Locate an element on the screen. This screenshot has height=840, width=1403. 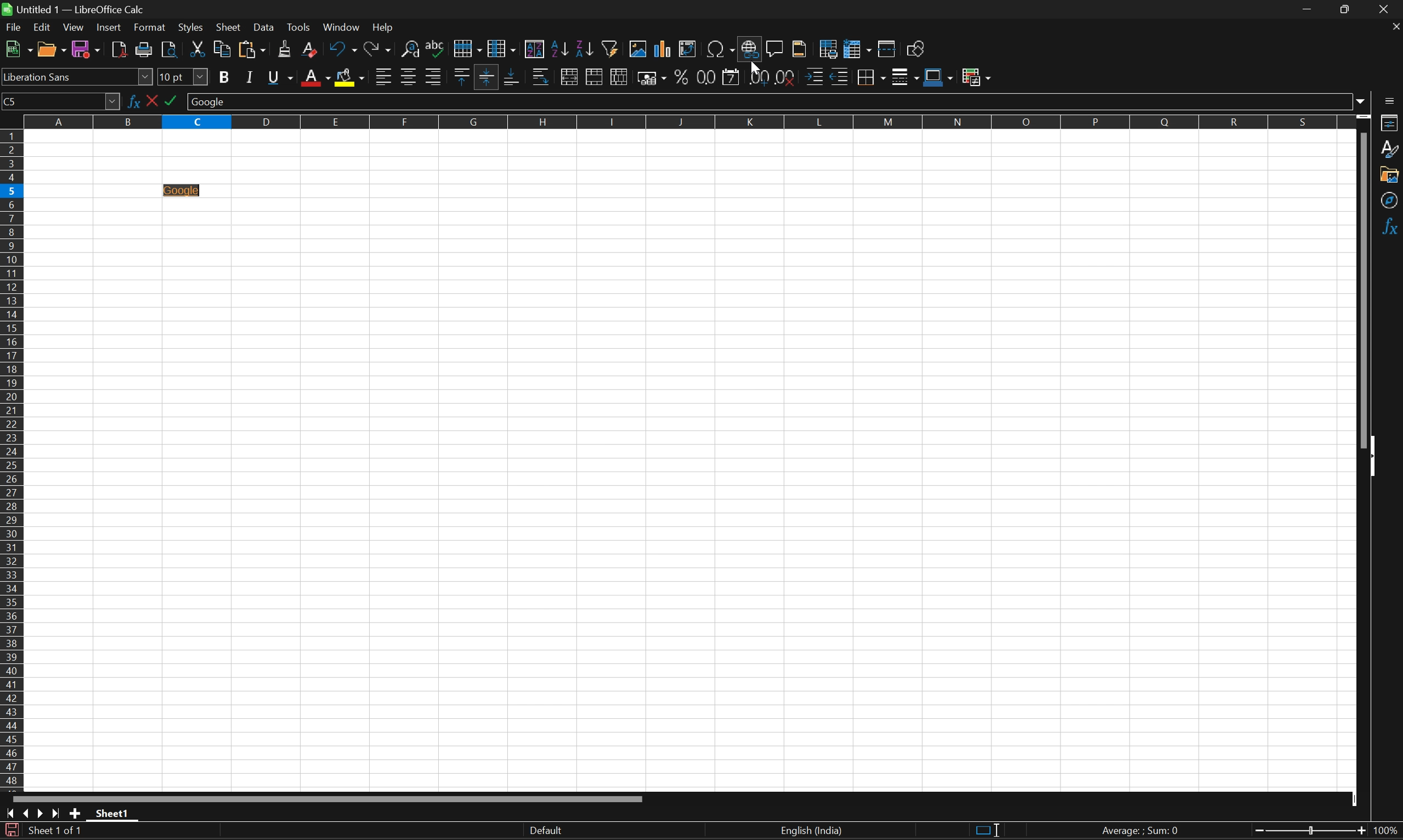
Cursor is located at coordinates (754, 67).